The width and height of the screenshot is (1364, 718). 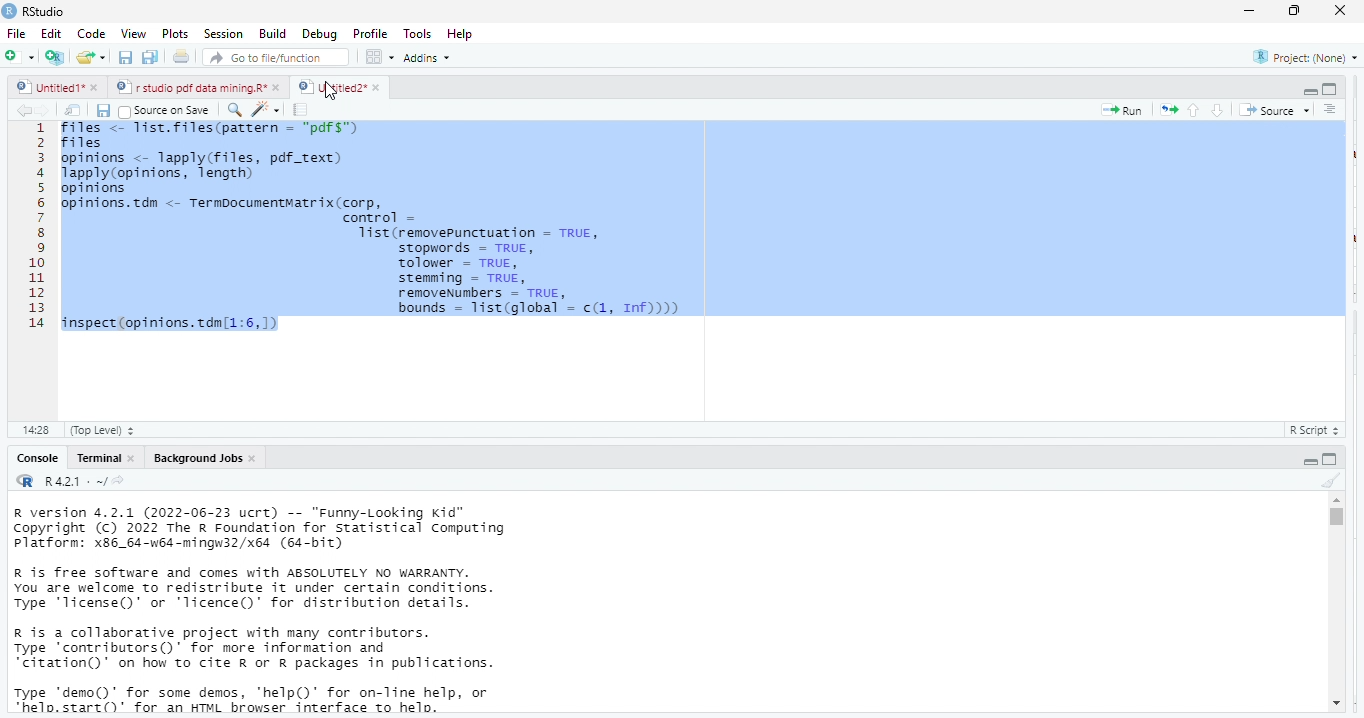 What do you see at coordinates (1330, 89) in the screenshot?
I see `hide console` at bounding box center [1330, 89].